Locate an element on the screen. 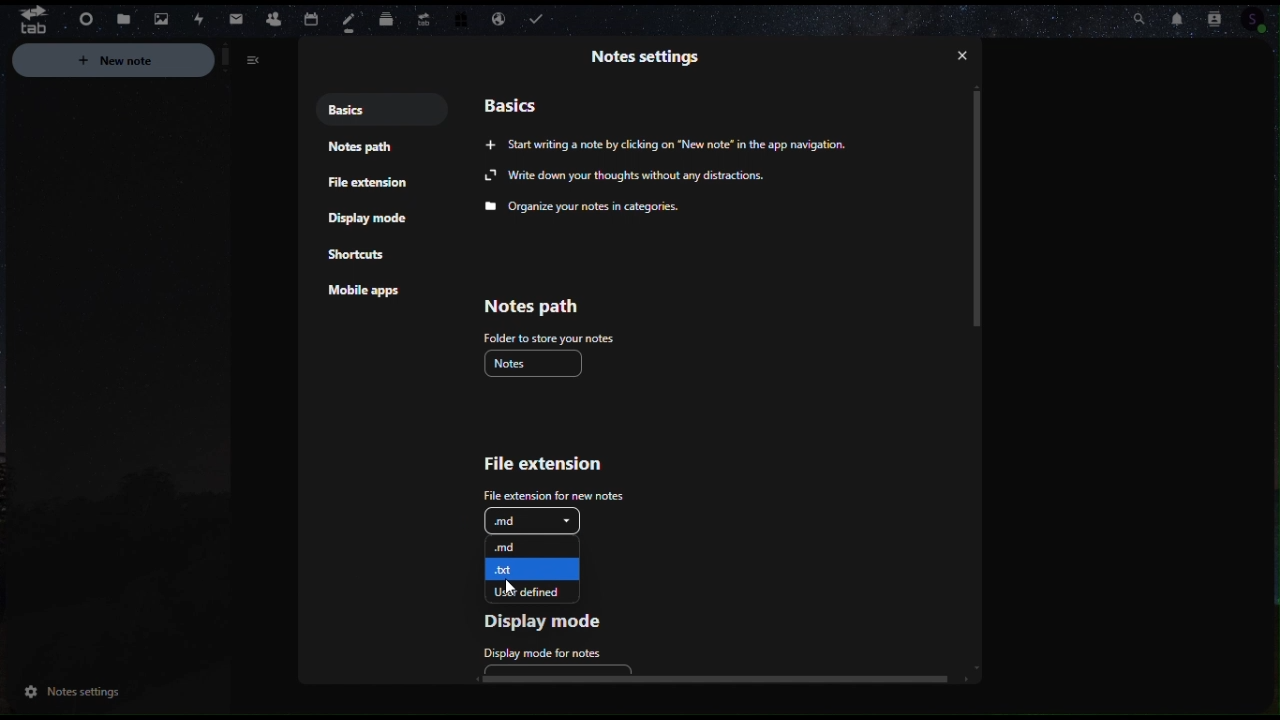 The height and width of the screenshot is (720, 1280). profile is located at coordinates (1265, 21).